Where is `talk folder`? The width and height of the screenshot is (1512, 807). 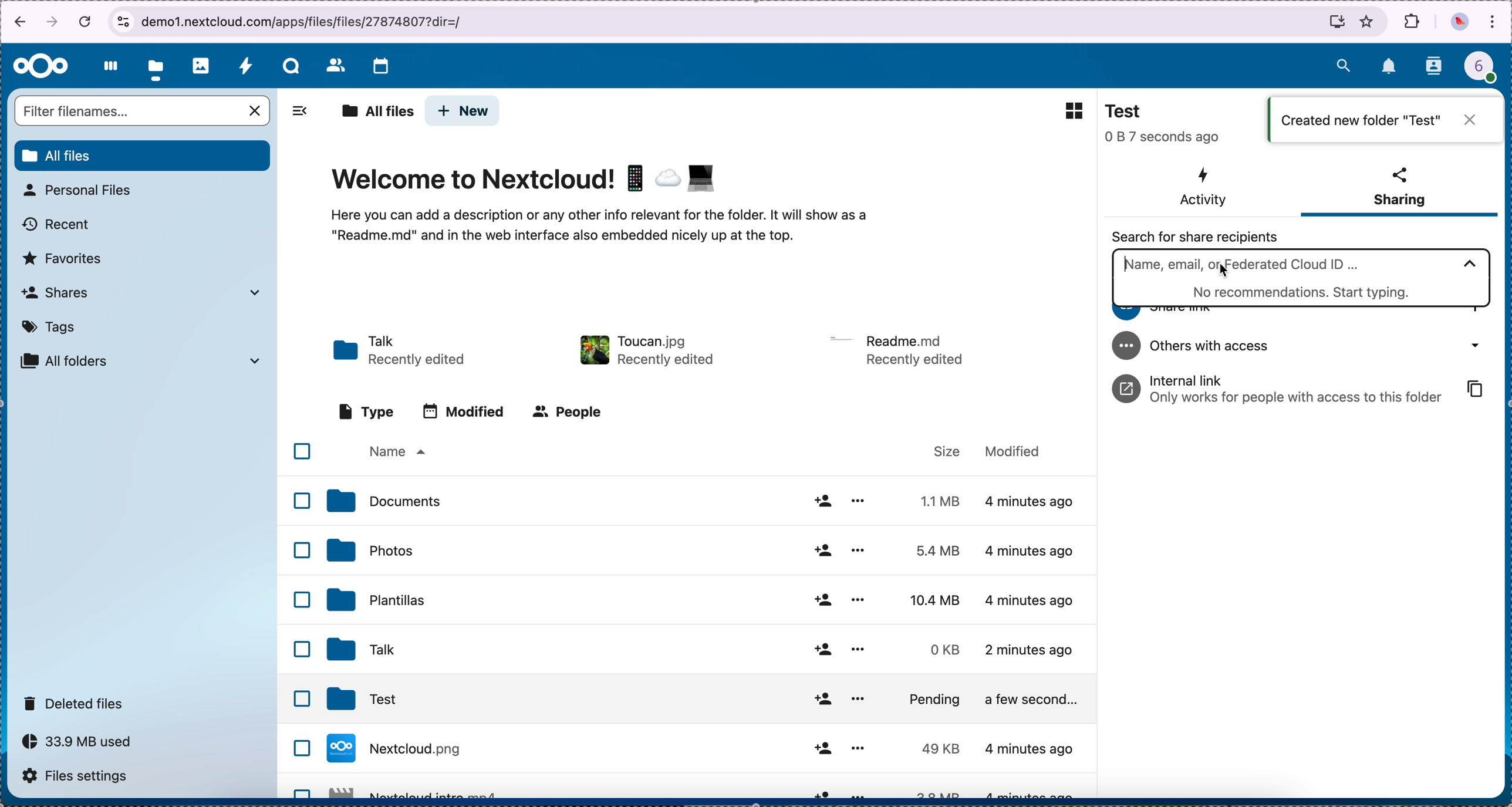
talk folder is located at coordinates (401, 352).